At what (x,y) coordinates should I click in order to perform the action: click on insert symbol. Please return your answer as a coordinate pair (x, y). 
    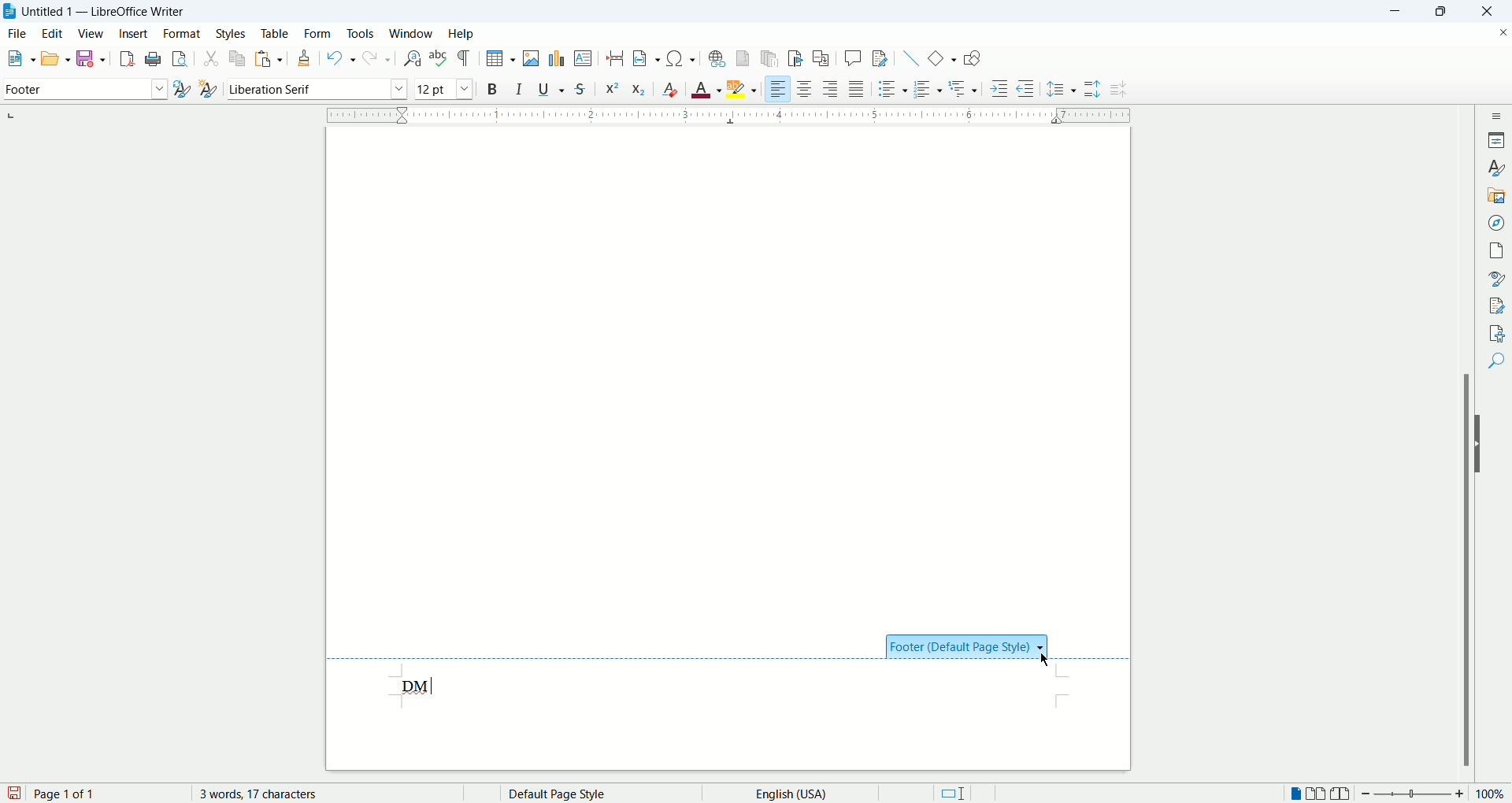
    Looking at the image, I should click on (681, 57).